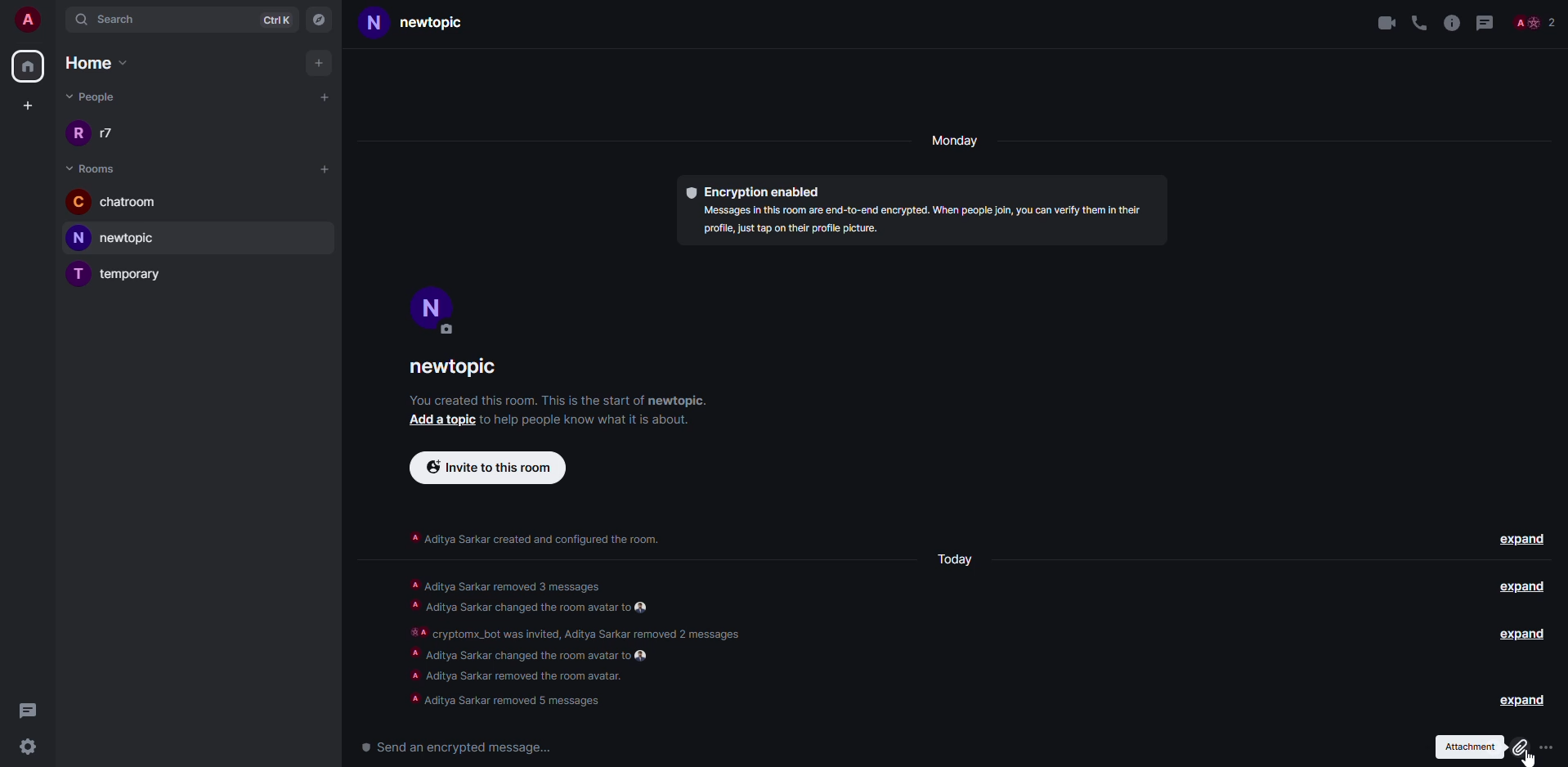 The width and height of the screenshot is (1568, 767). What do you see at coordinates (593, 423) in the screenshot?
I see `info` at bounding box center [593, 423].